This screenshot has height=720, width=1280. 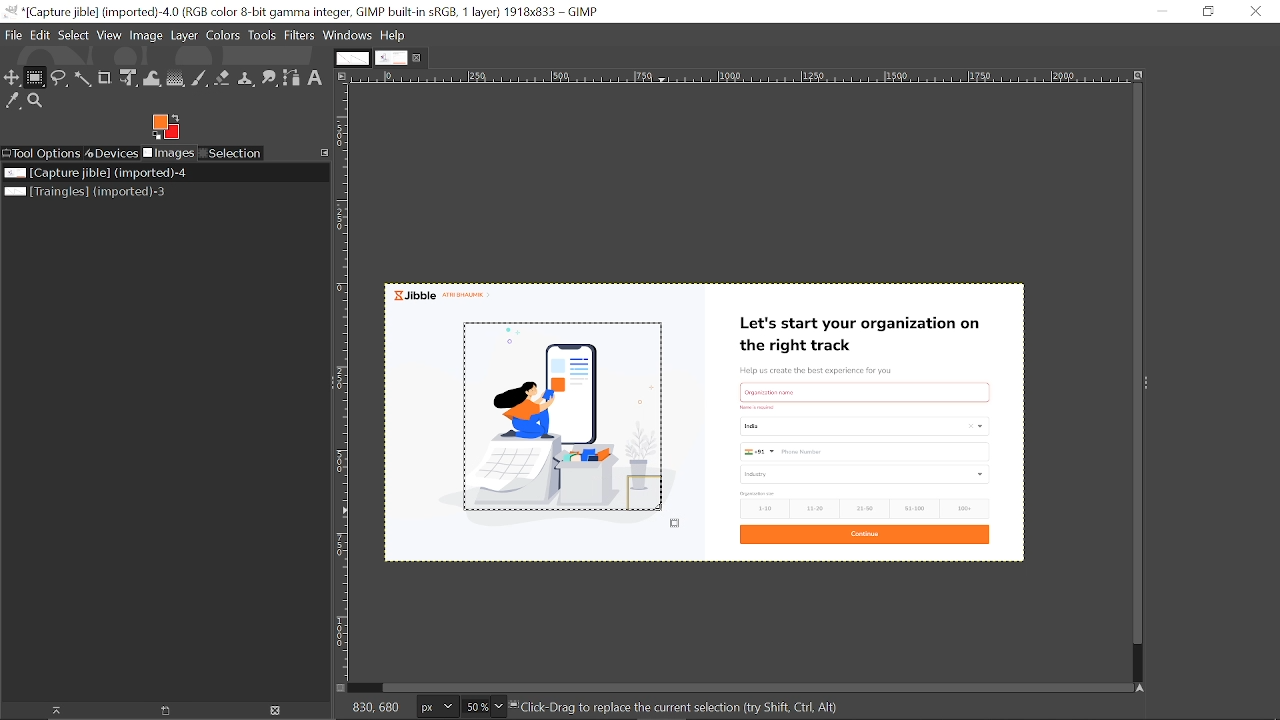 I want to click on Gradient tool, so click(x=176, y=78).